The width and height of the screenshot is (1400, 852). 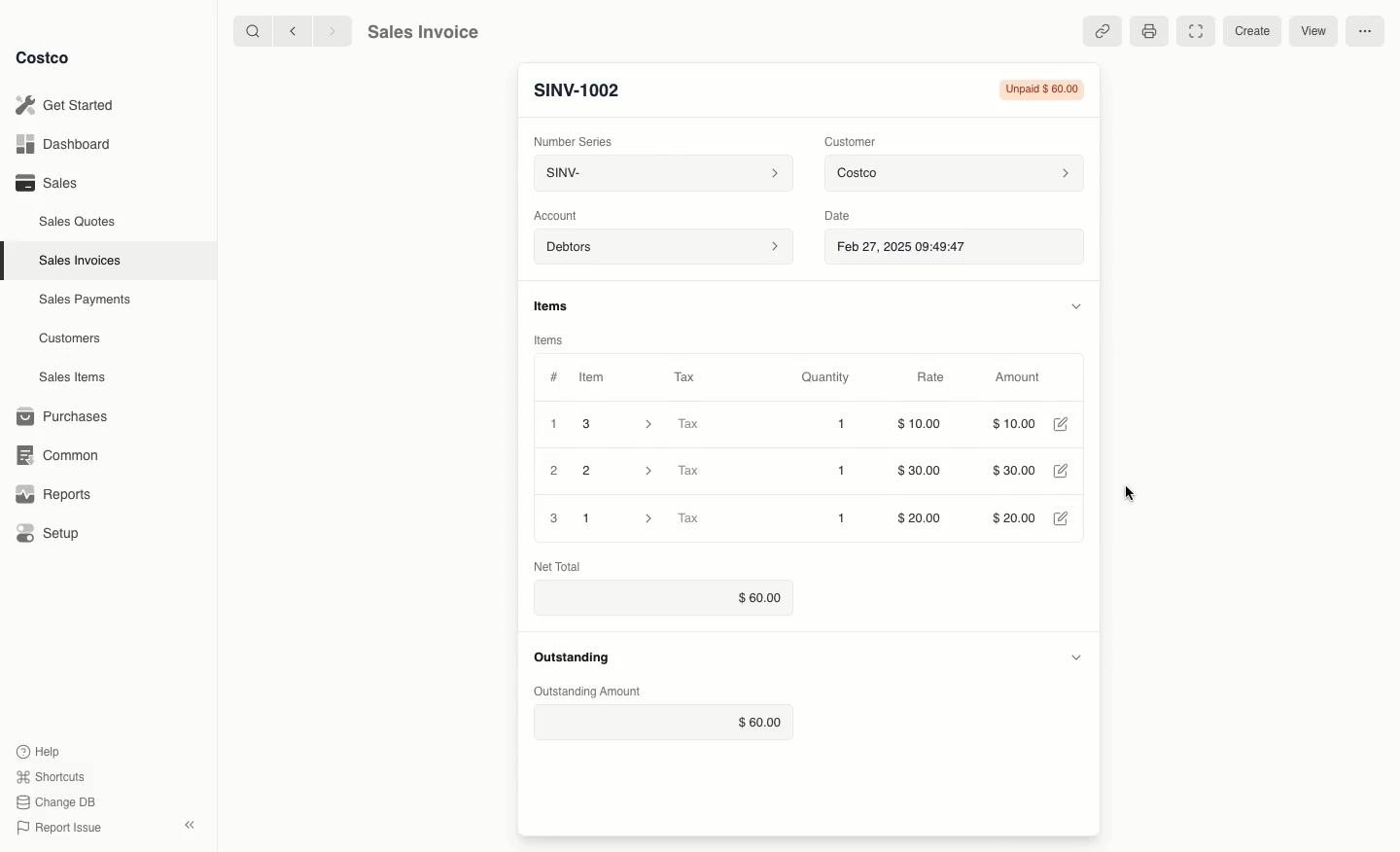 I want to click on Hashtag, so click(x=553, y=377).